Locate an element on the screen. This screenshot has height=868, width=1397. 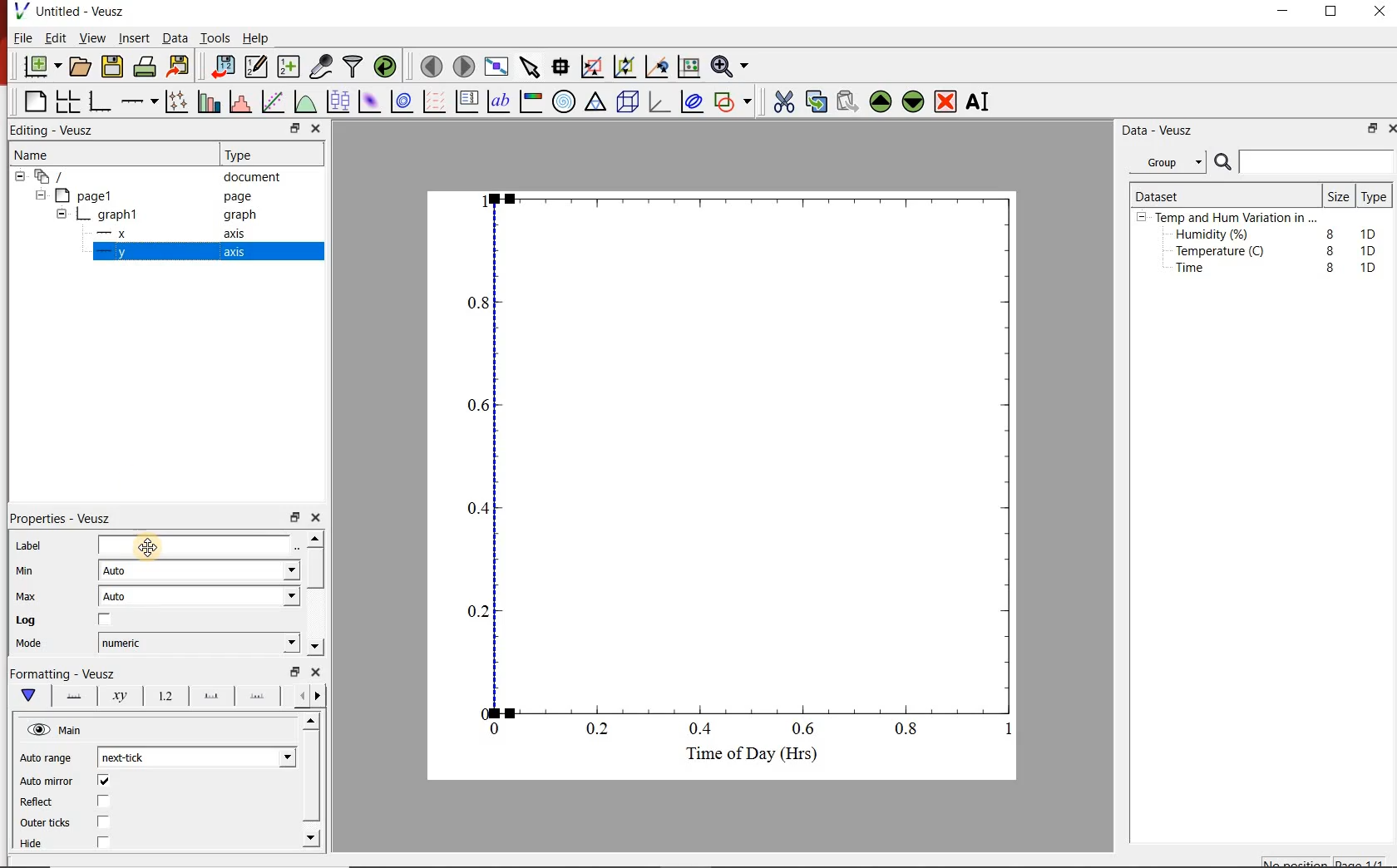
1 is located at coordinates (481, 200).